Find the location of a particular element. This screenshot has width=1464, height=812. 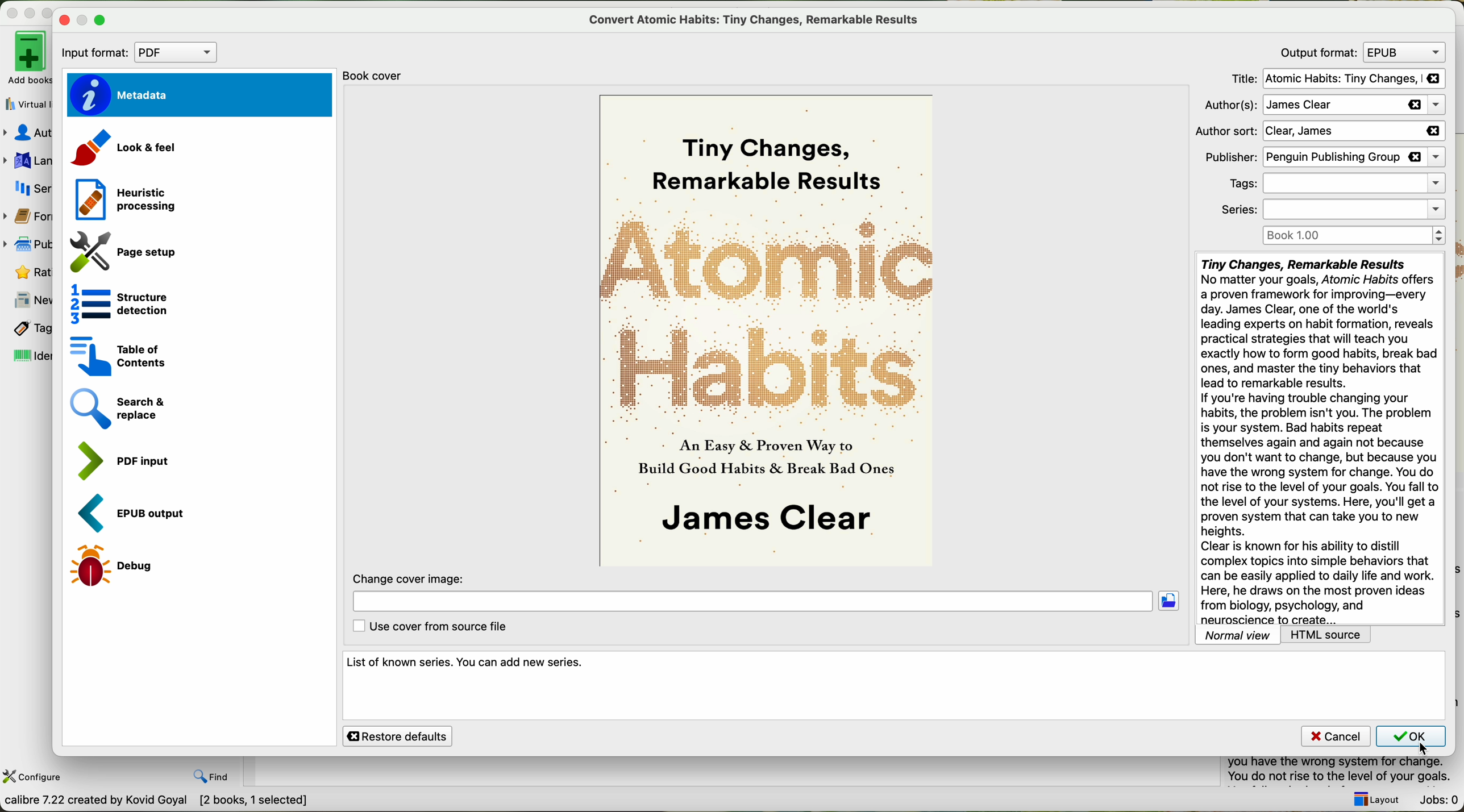

minimize is located at coordinates (30, 11).